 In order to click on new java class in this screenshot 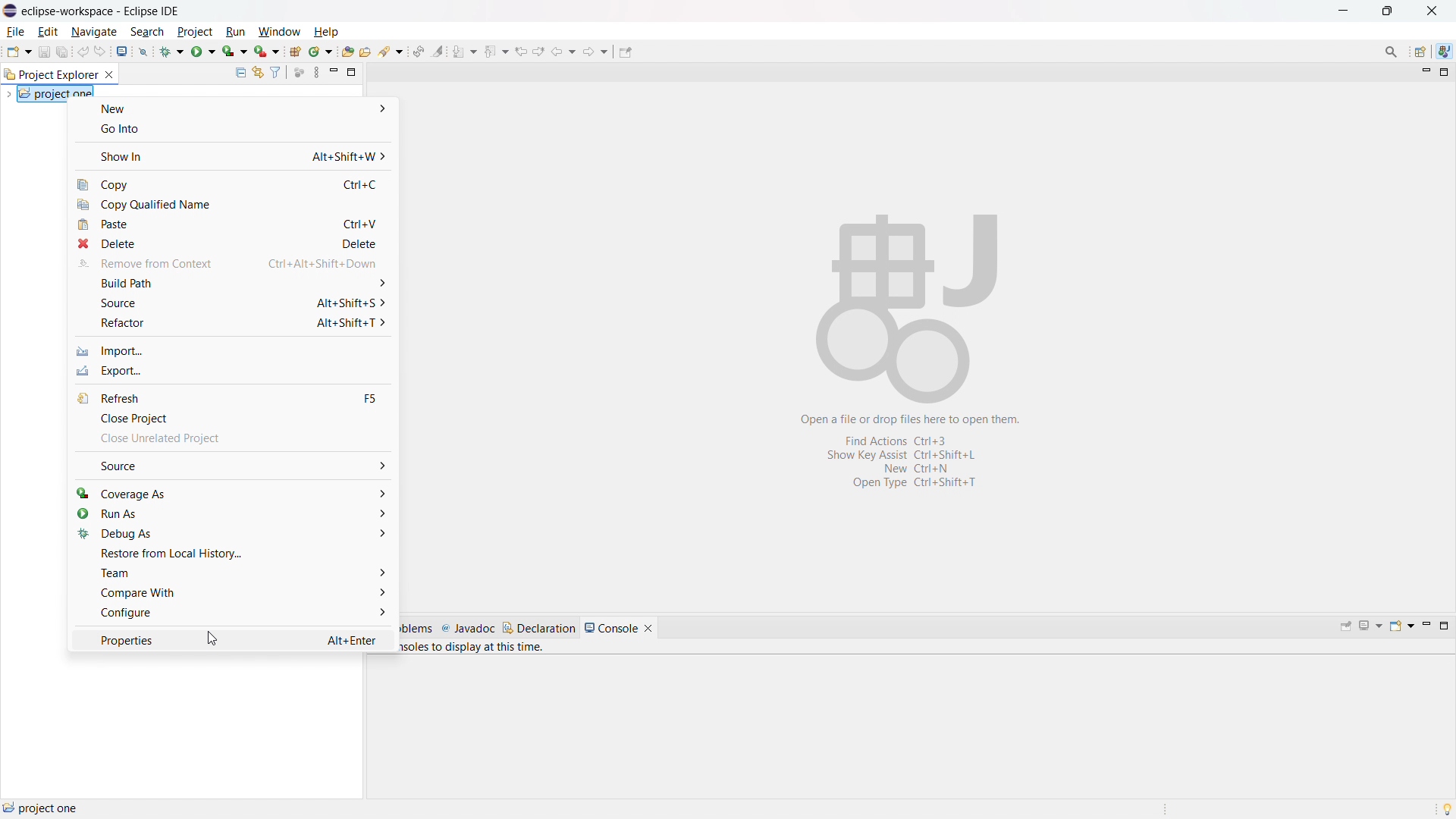, I will do `click(321, 52)`.